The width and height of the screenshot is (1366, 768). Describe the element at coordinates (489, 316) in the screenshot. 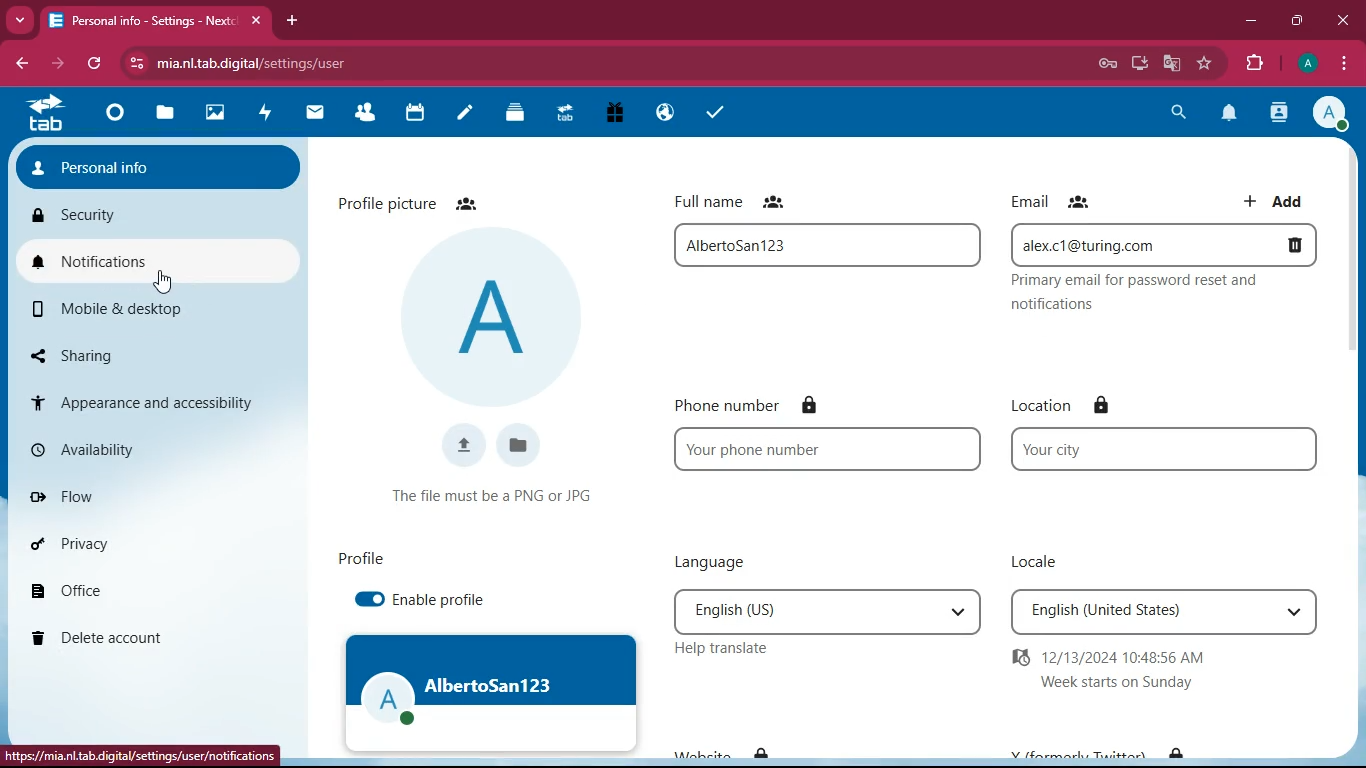

I see `profile picture` at that location.